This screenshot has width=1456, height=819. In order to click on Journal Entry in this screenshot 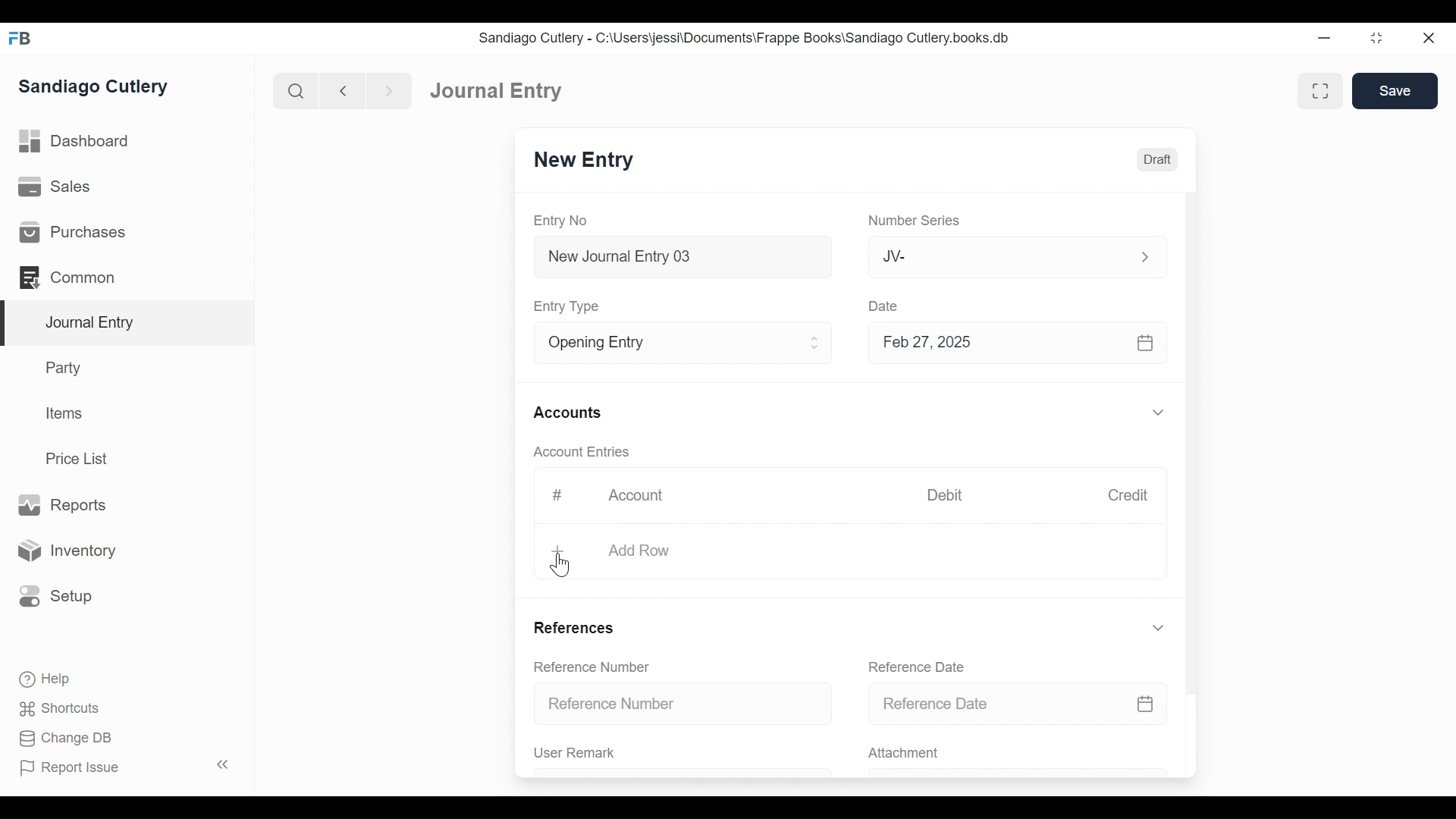, I will do `click(124, 324)`.